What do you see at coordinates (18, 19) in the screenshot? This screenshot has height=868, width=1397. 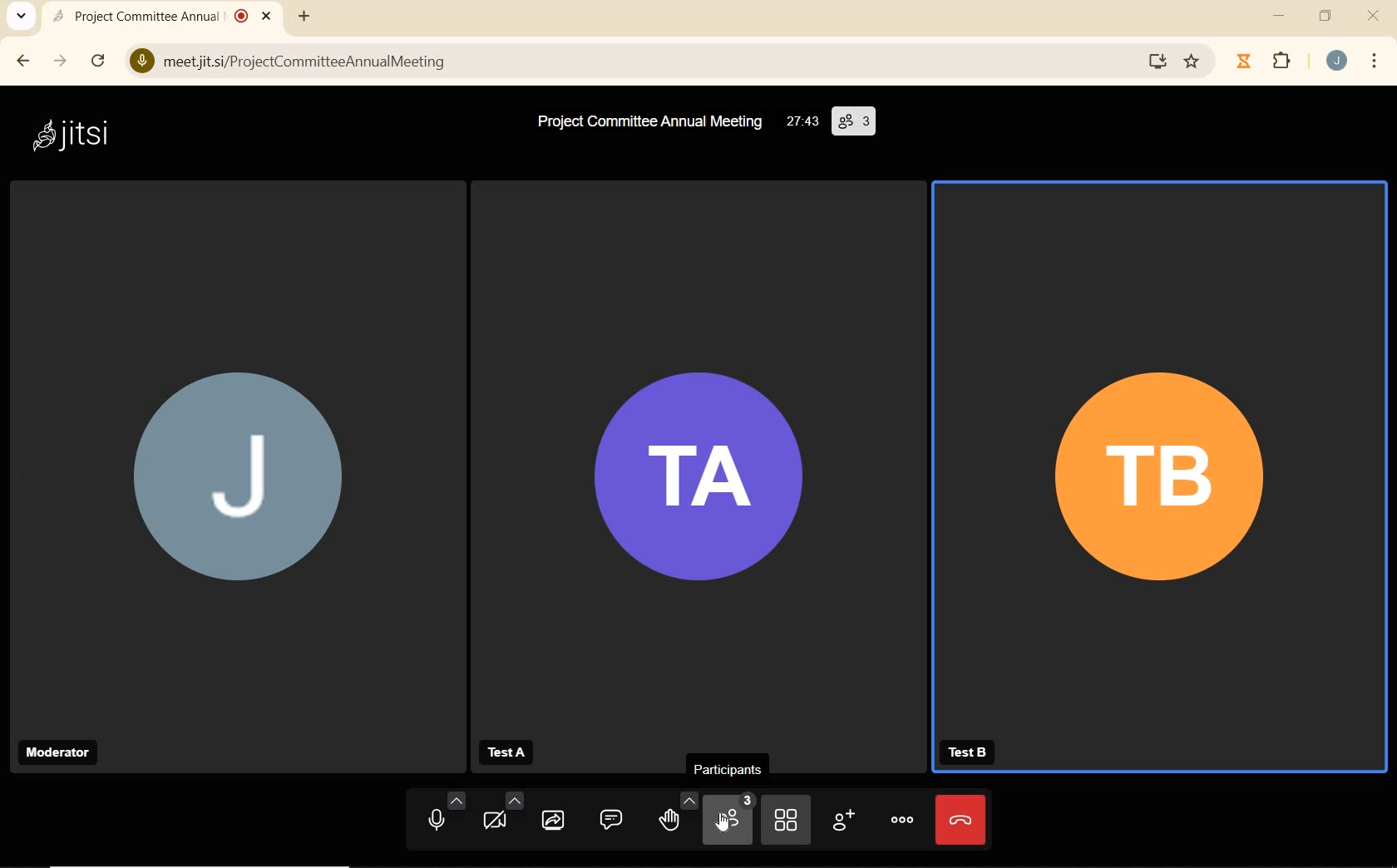 I see `SEARCH TABS` at bounding box center [18, 19].